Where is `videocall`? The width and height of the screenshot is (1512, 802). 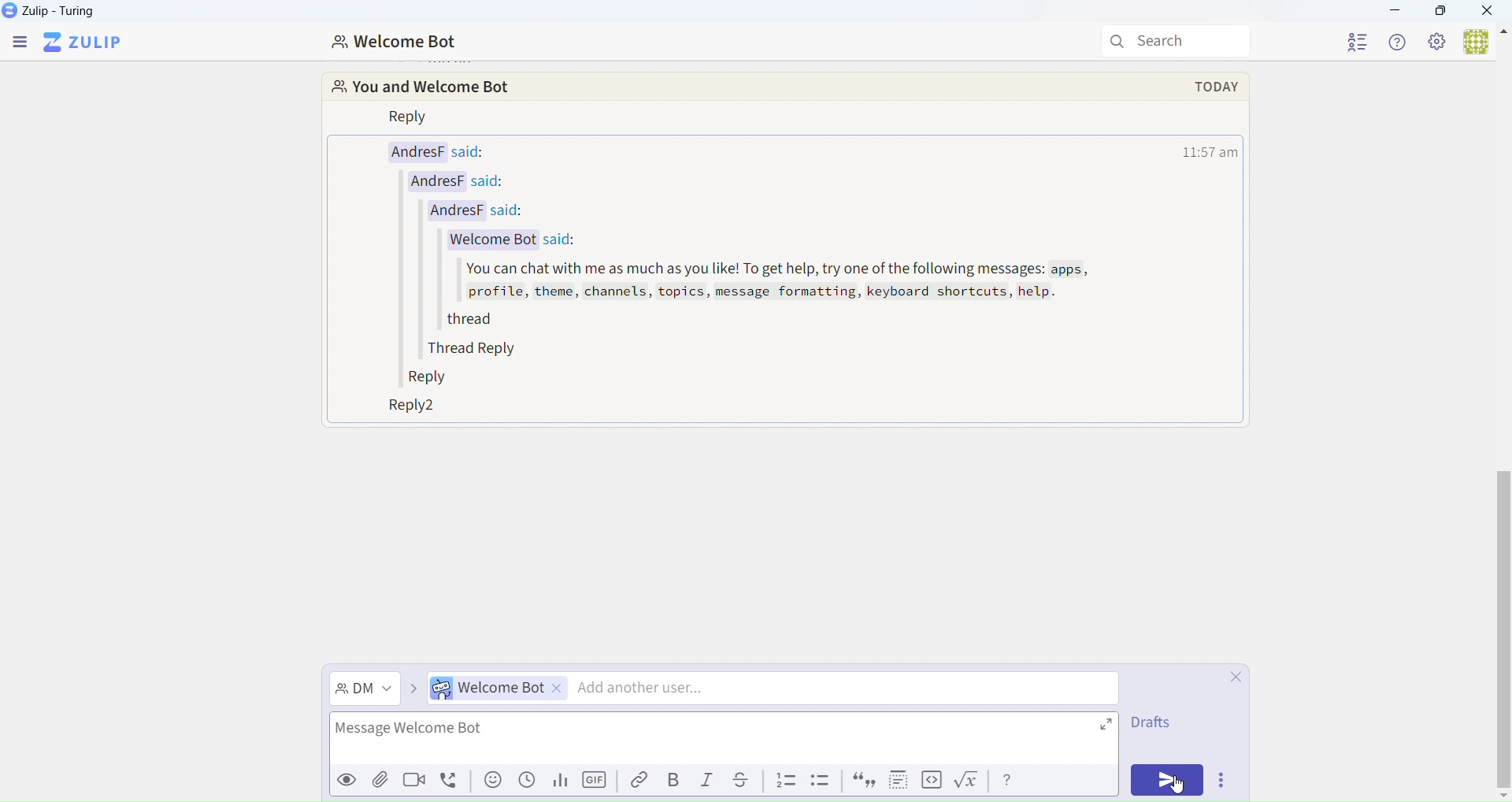
videocall is located at coordinates (417, 784).